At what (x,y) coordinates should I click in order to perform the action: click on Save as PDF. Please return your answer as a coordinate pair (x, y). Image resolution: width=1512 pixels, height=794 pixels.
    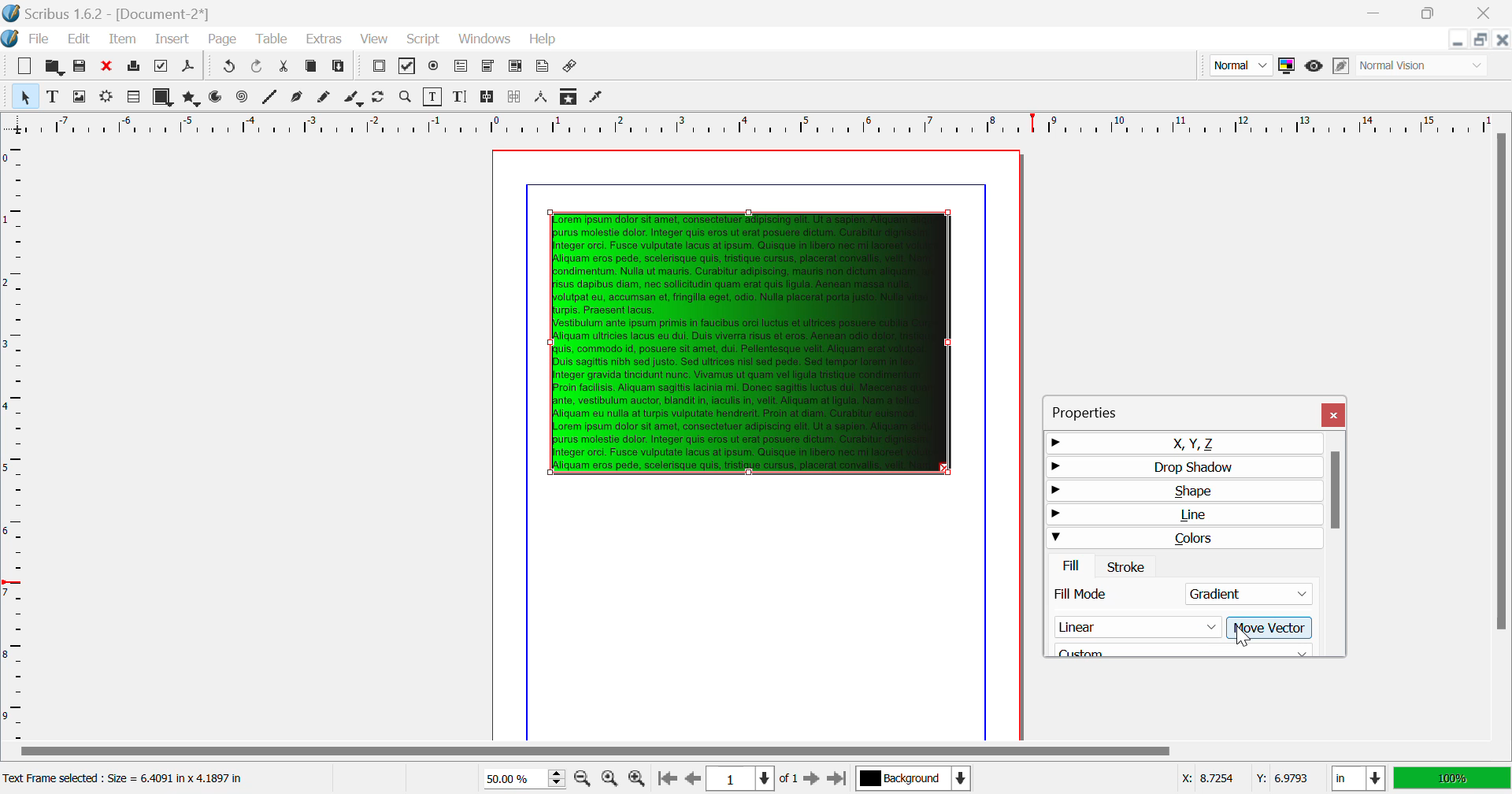
    Looking at the image, I should click on (189, 68).